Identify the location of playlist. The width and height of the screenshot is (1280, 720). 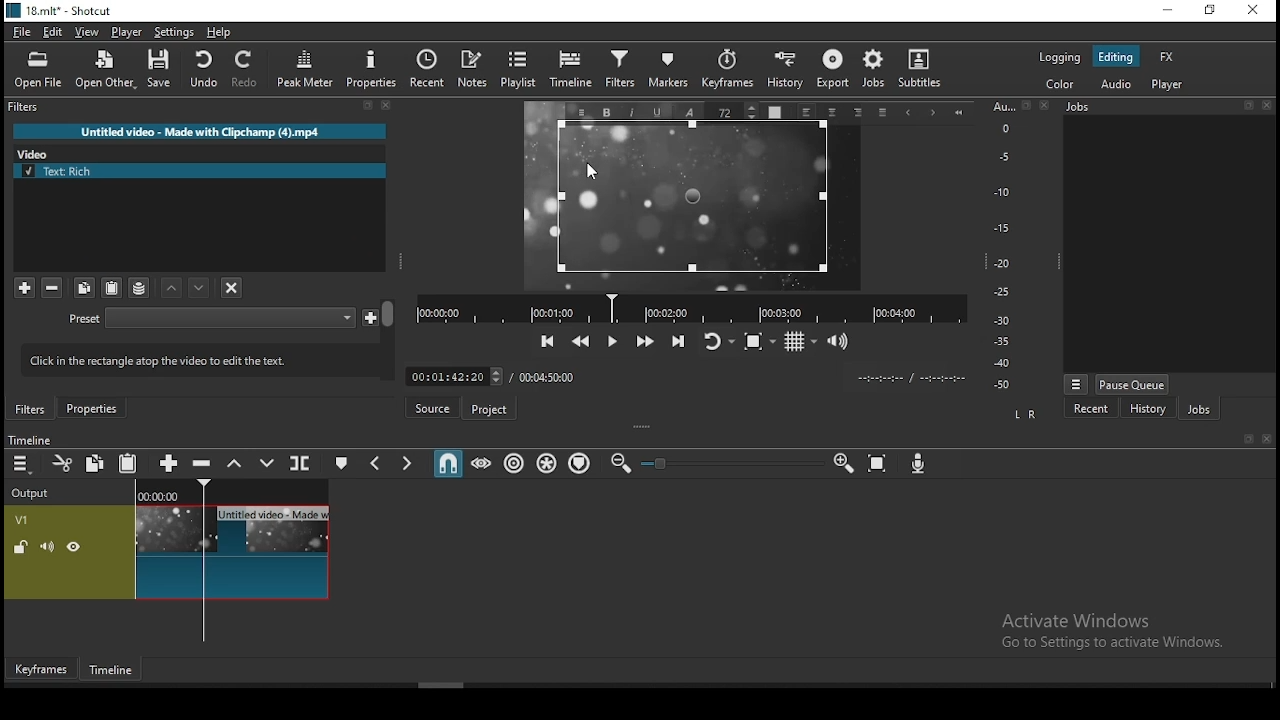
(519, 70).